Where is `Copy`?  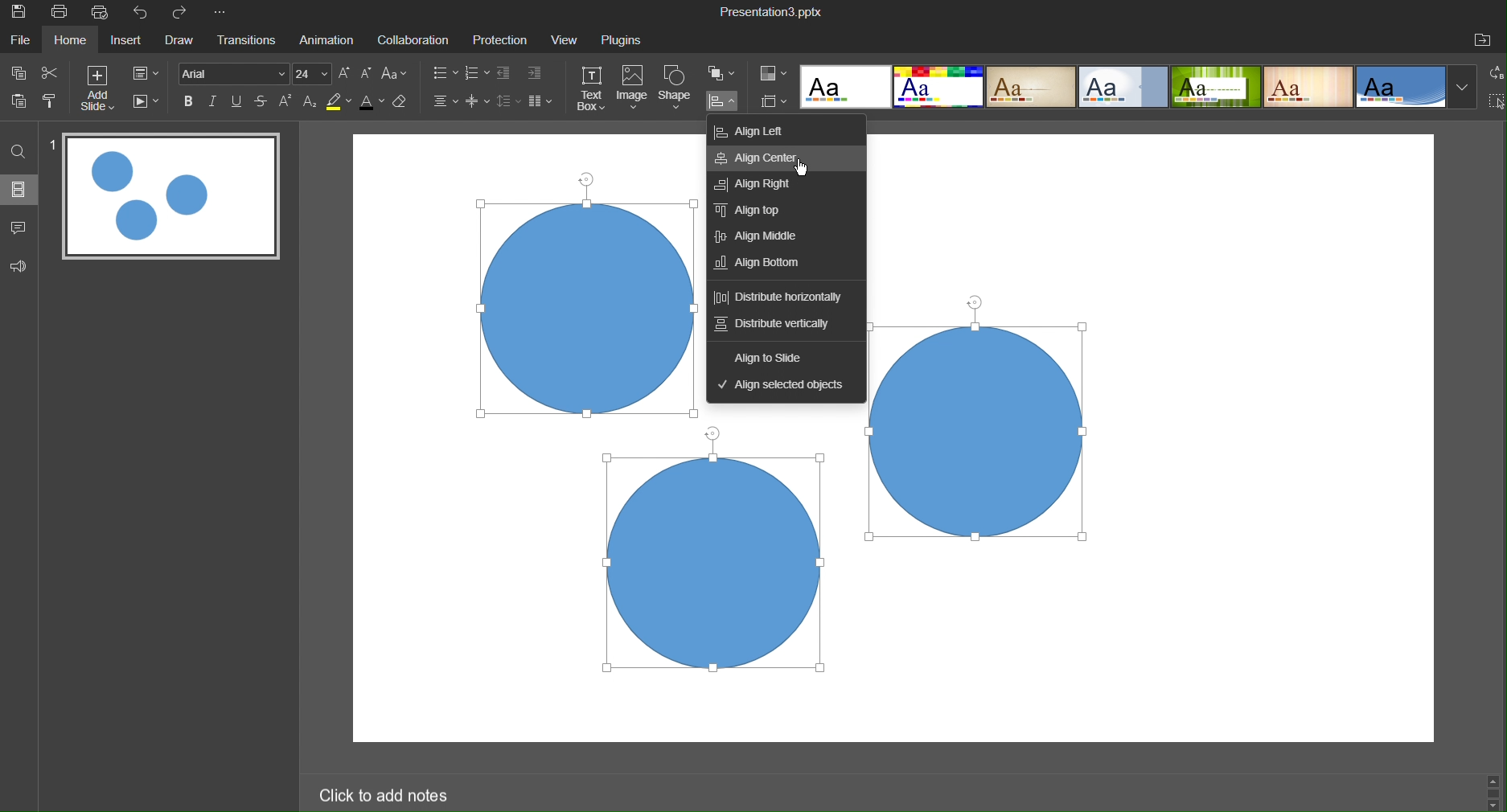 Copy is located at coordinates (18, 75).